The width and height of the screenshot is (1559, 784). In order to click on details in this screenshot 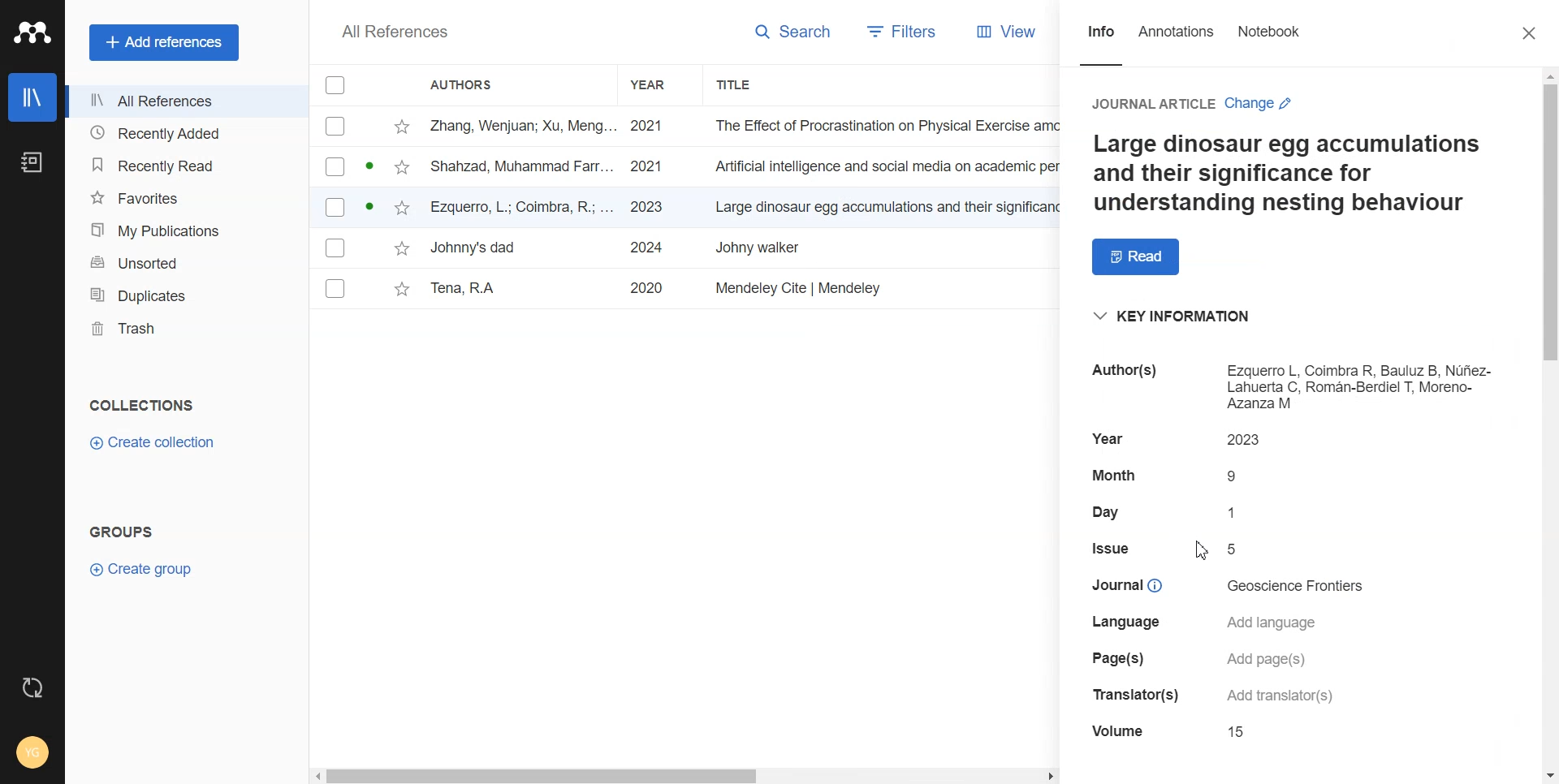, I will do `click(1269, 659)`.